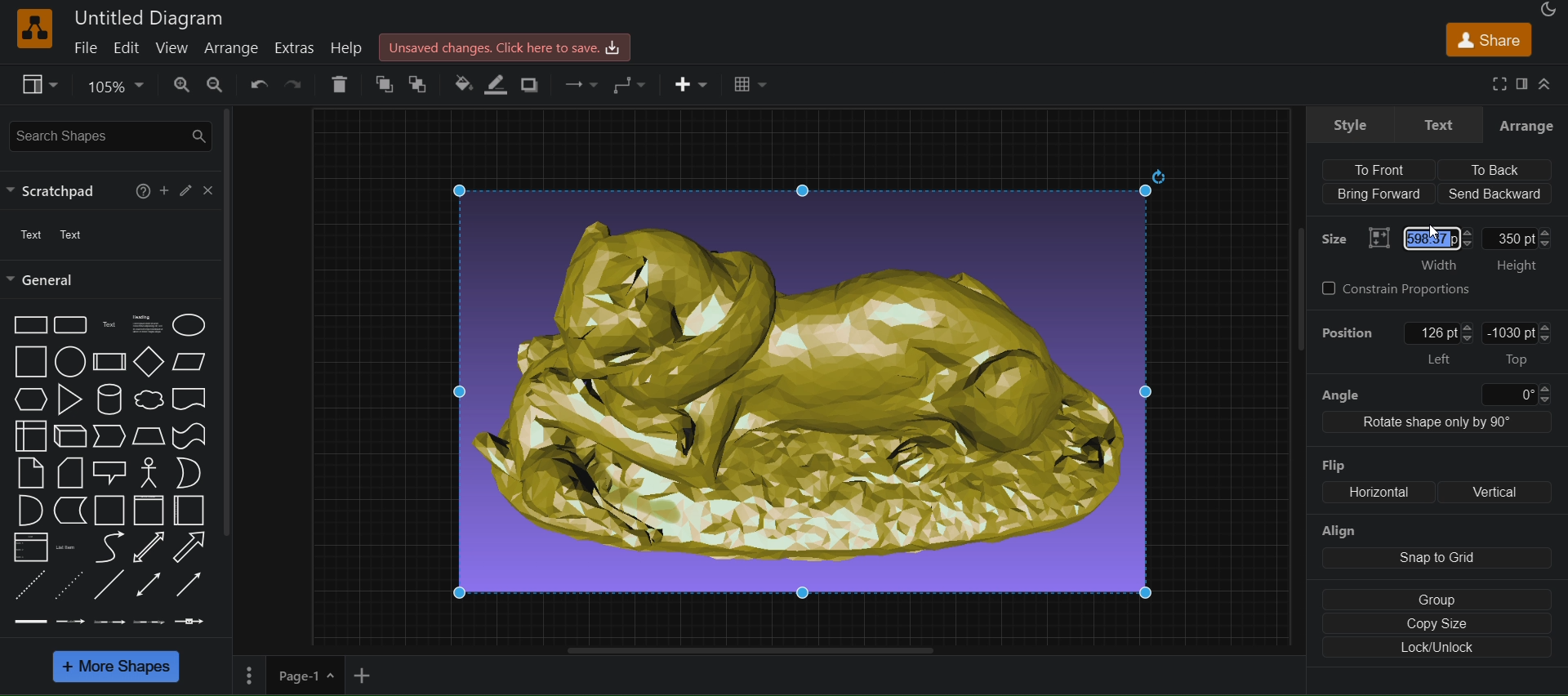 Image resolution: width=1568 pixels, height=696 pixels. Describe the element at coordinates (295, 84) in the screenshot. I see `redo` at that location.